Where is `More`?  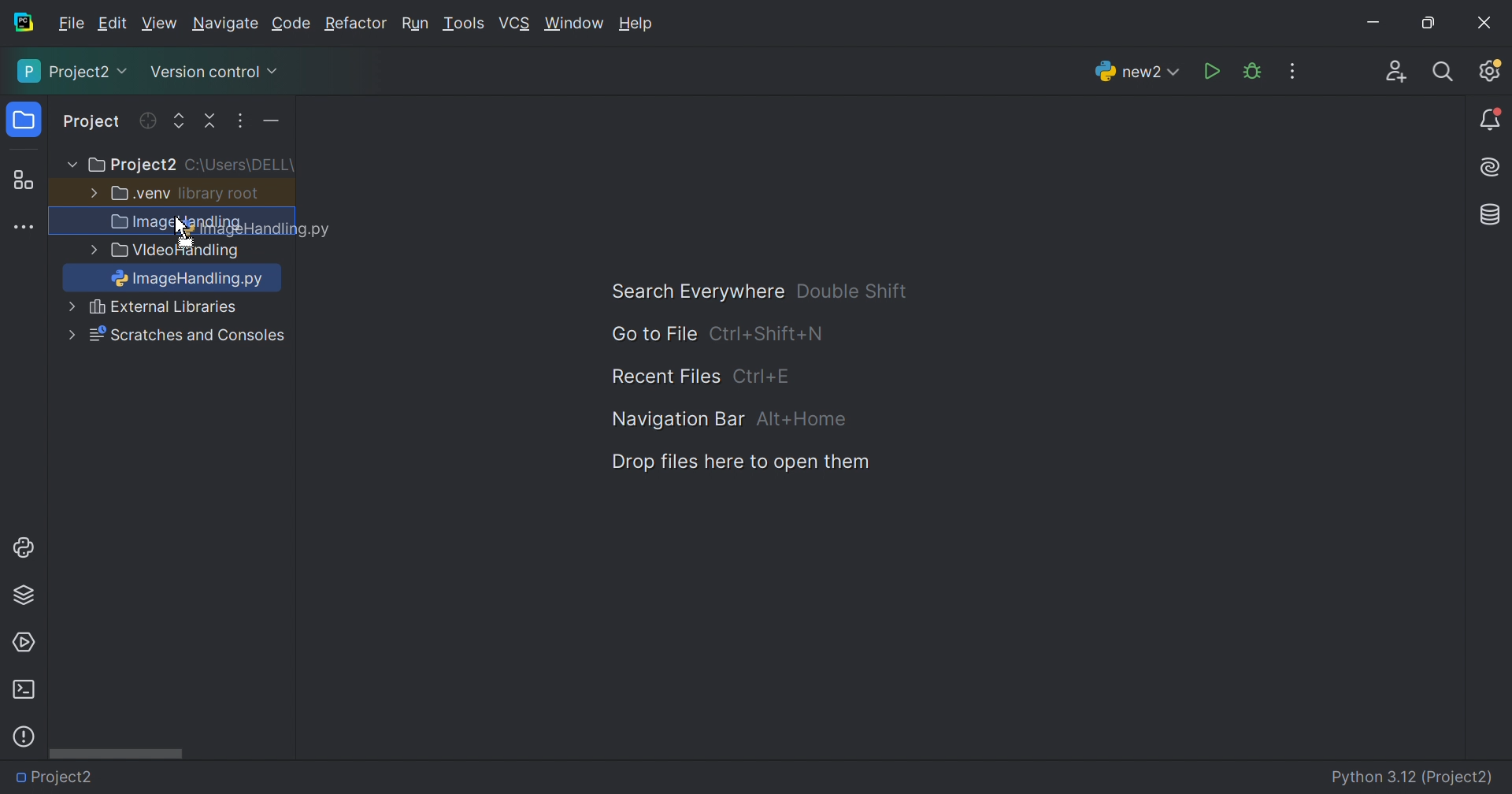 More is located at coordinates (91, 191).